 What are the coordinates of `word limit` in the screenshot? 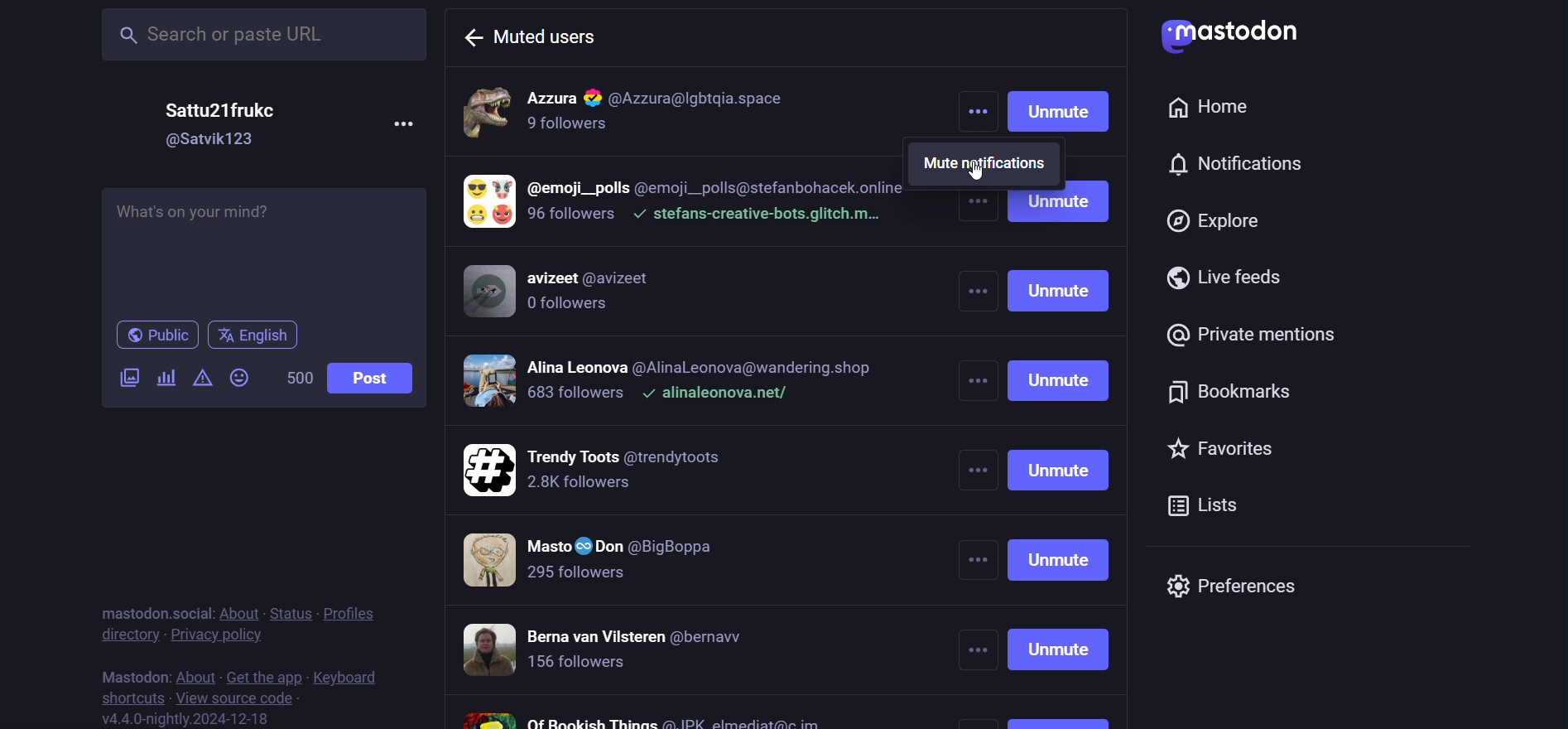 It's located at (295, 378).